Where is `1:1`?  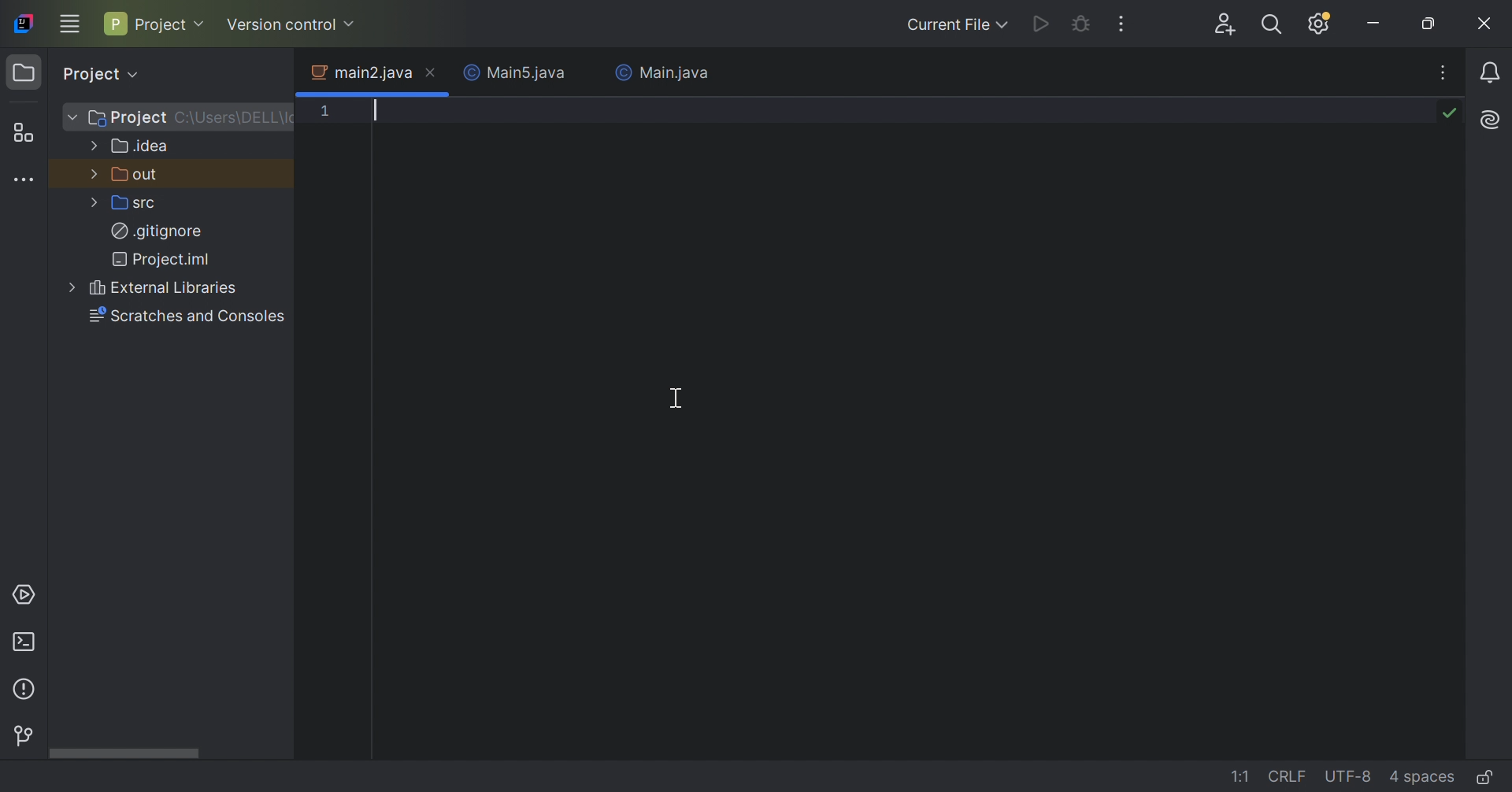 1:1 is located at coordinates (1242, 775).